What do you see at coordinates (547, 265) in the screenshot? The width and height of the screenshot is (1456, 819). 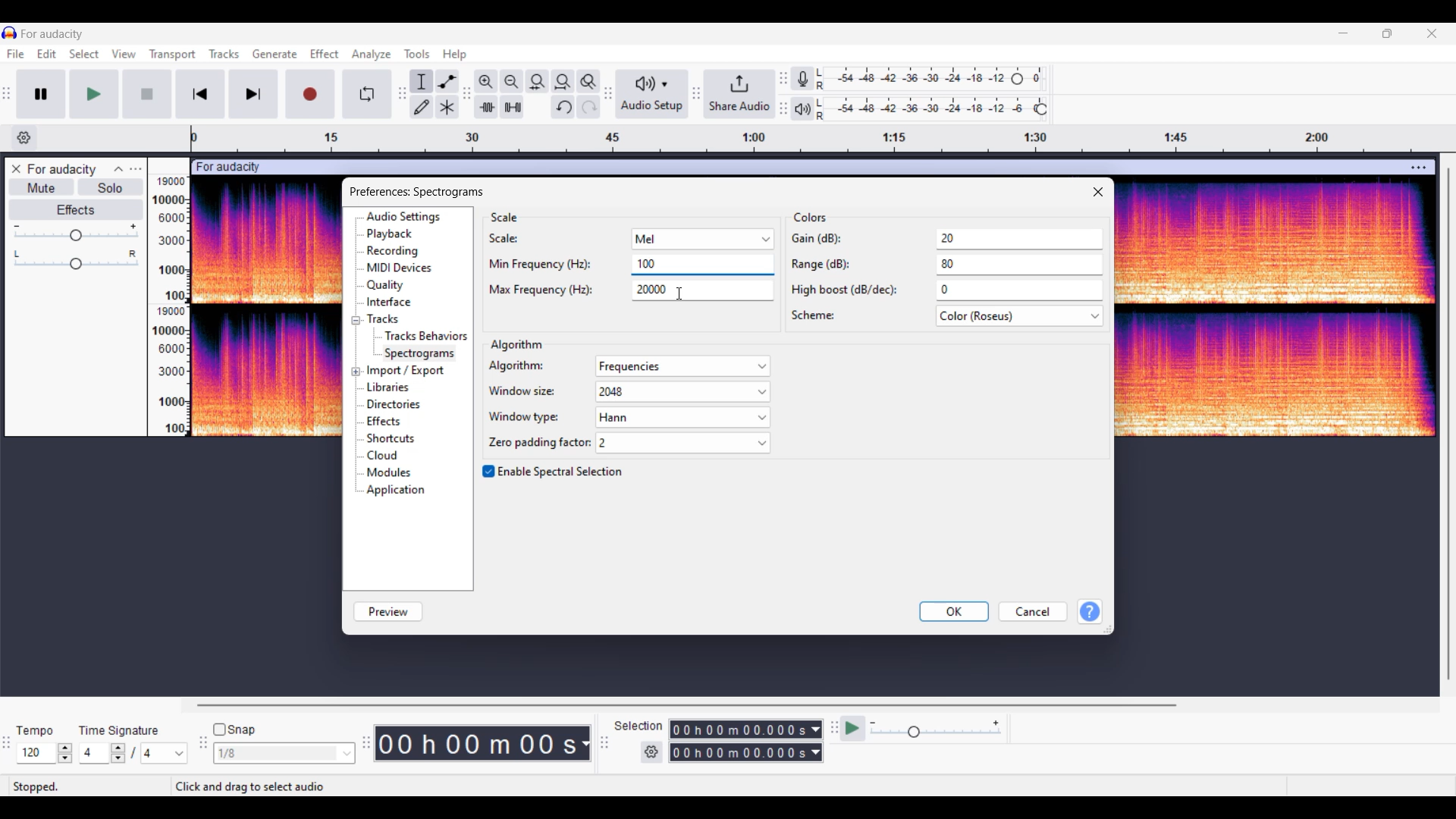 I see `min frequency` at bounding box center [547, 265].